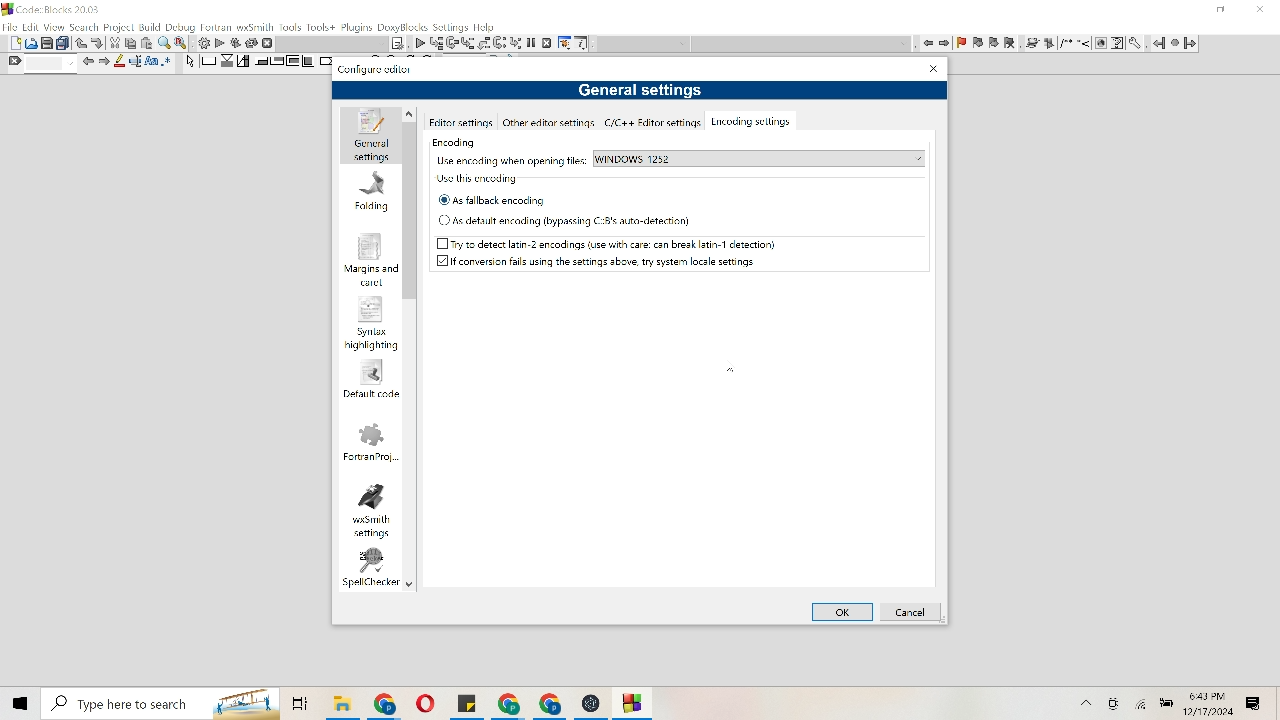  Describe the element at coordinates (114, 42) in the screenshot. I see `Trim` at that location.